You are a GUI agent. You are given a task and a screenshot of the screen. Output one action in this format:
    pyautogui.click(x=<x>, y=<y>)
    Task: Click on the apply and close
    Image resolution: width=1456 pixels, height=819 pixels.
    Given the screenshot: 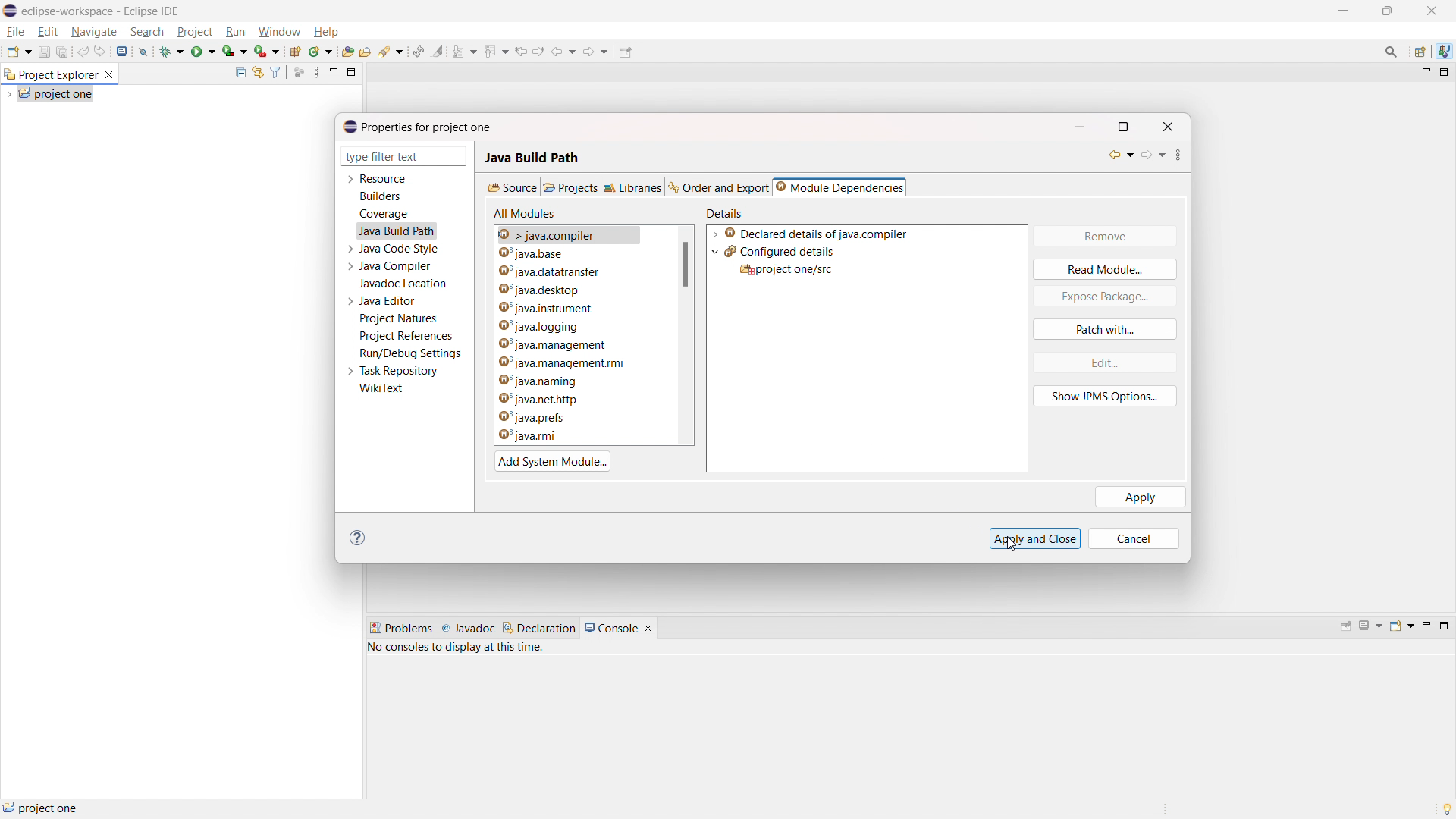 What is the action you would take?
    pyautogui.click(x=1035, y=538)
    